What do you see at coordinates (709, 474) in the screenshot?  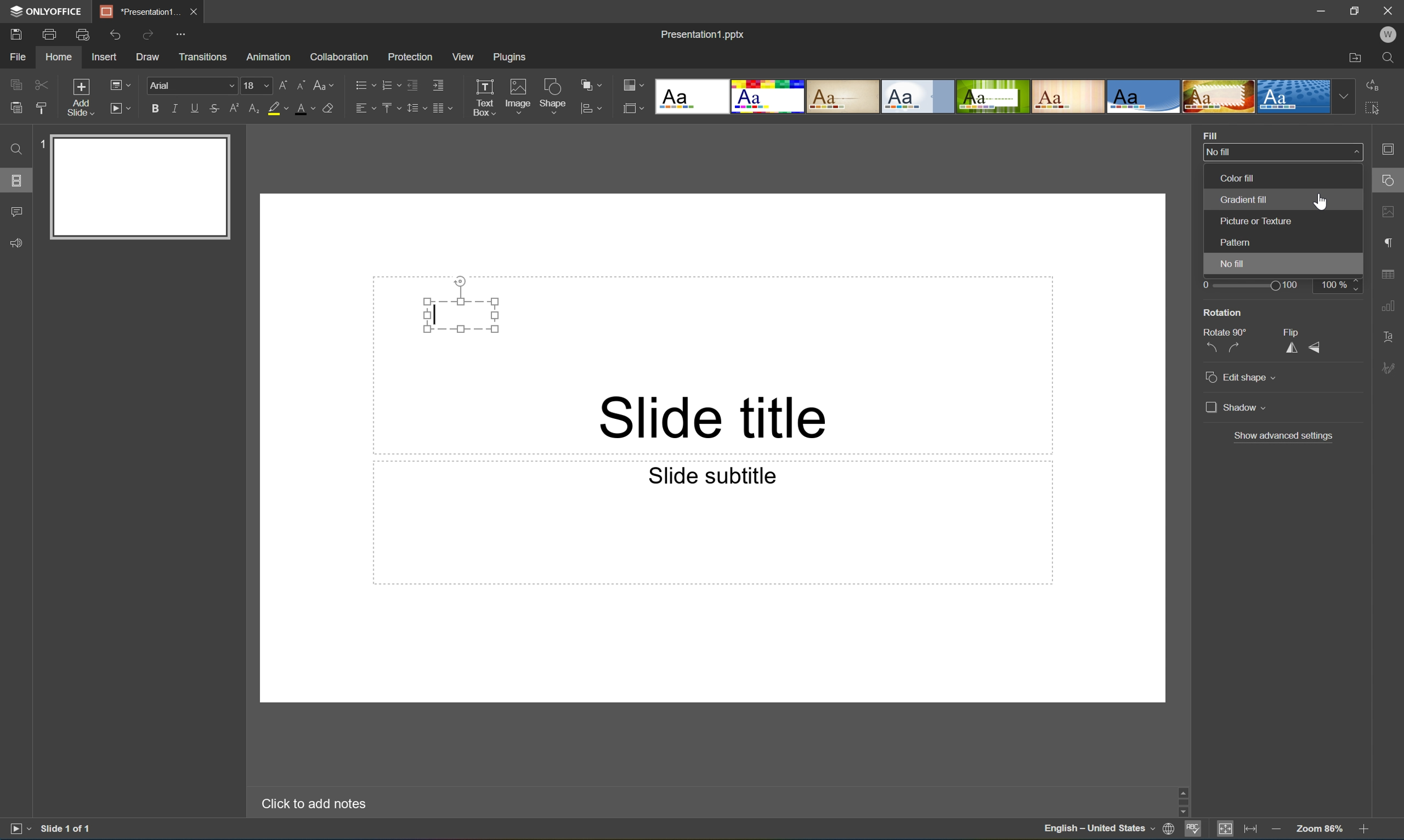 I see `Slide subtitle` at bounding box center [709, 474].